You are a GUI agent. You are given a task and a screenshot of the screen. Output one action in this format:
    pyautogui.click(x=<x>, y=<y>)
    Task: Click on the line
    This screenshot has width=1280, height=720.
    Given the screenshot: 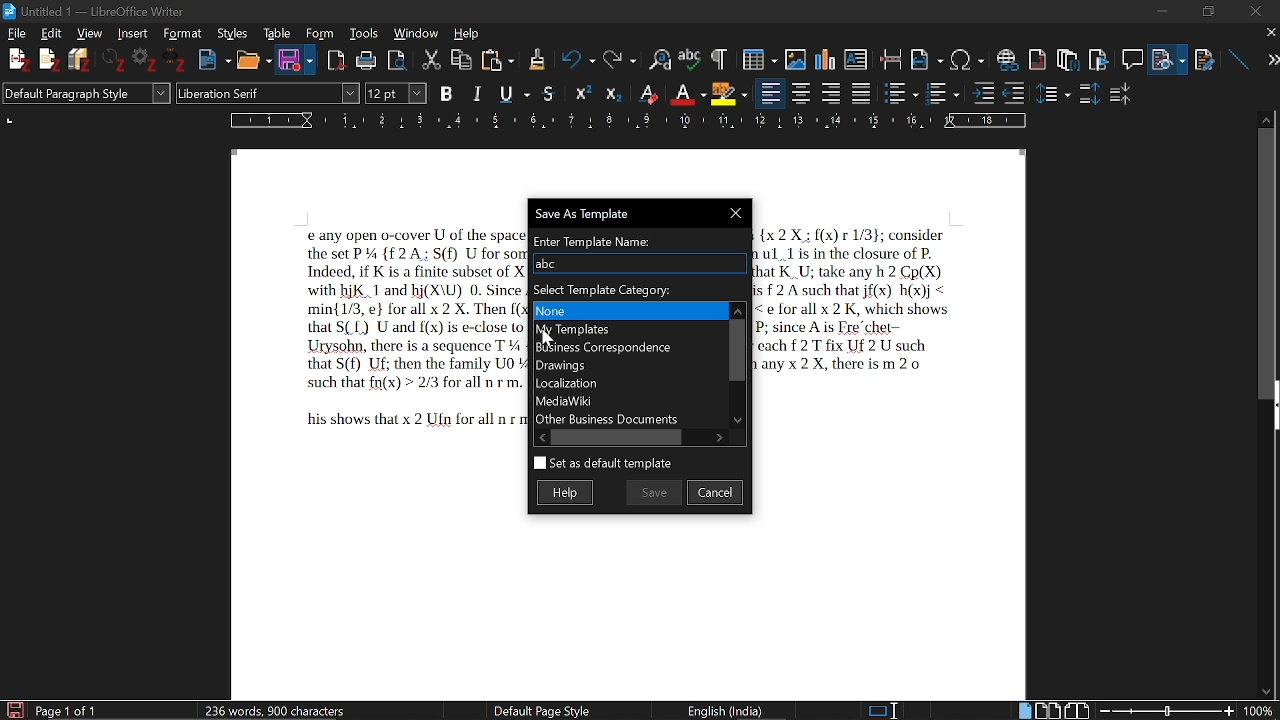 What is the action you would take?
    pyautogui.click(x=1236, y=56)
    